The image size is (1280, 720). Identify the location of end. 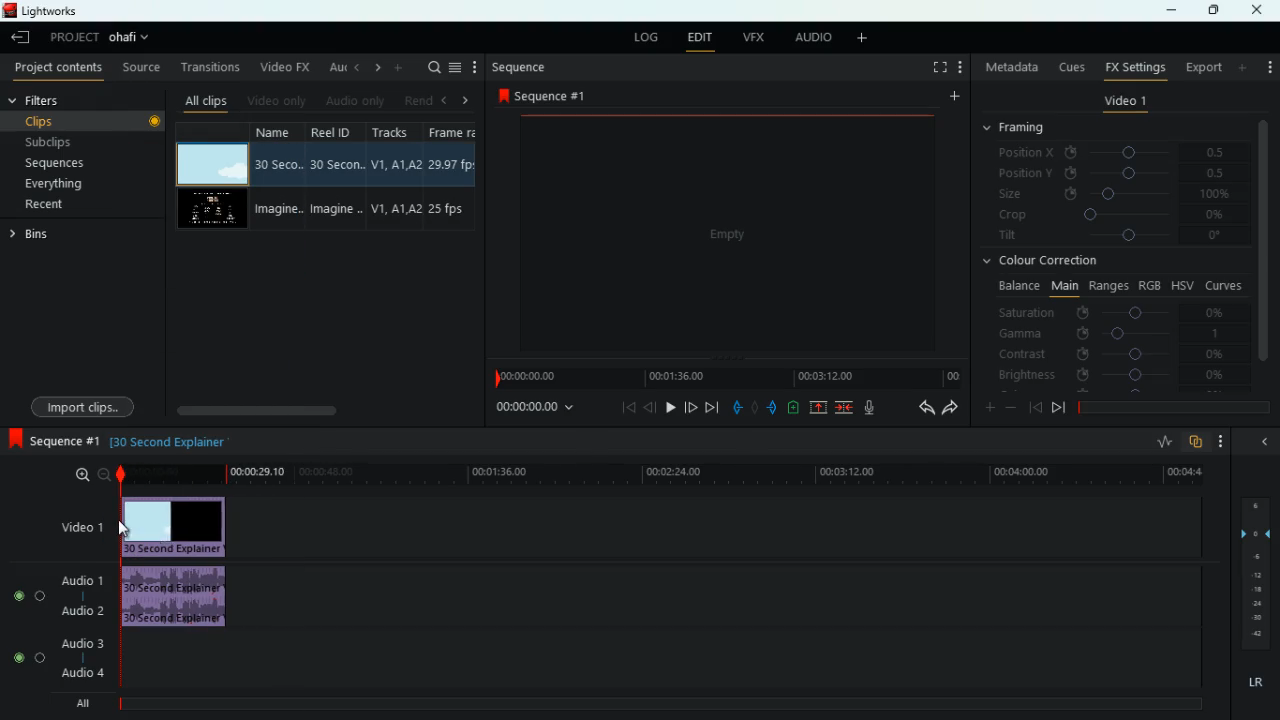
(1058, 407).